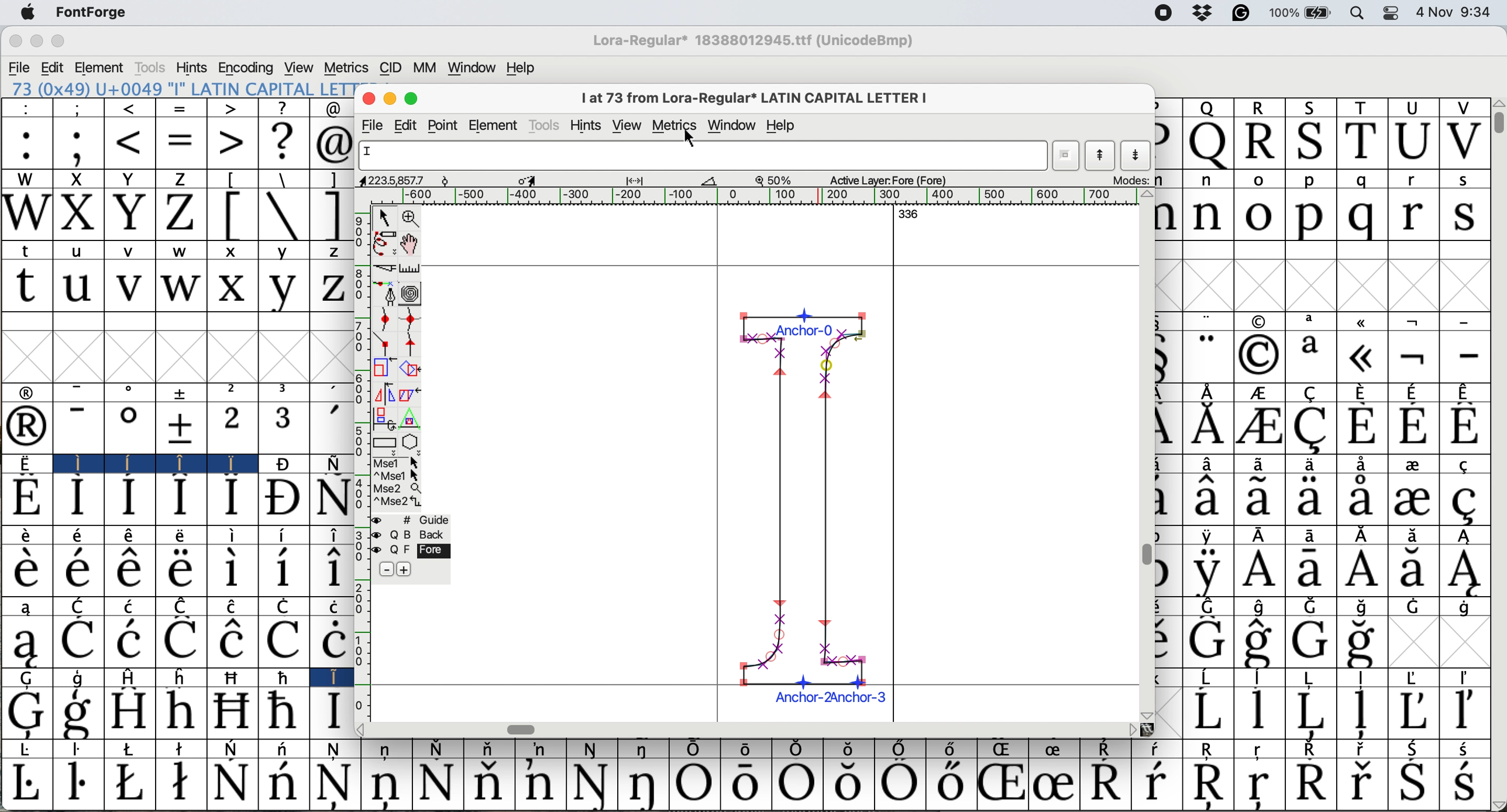 The image size is (1507, 812). I want to click on vertical scale, so click(362, 464).